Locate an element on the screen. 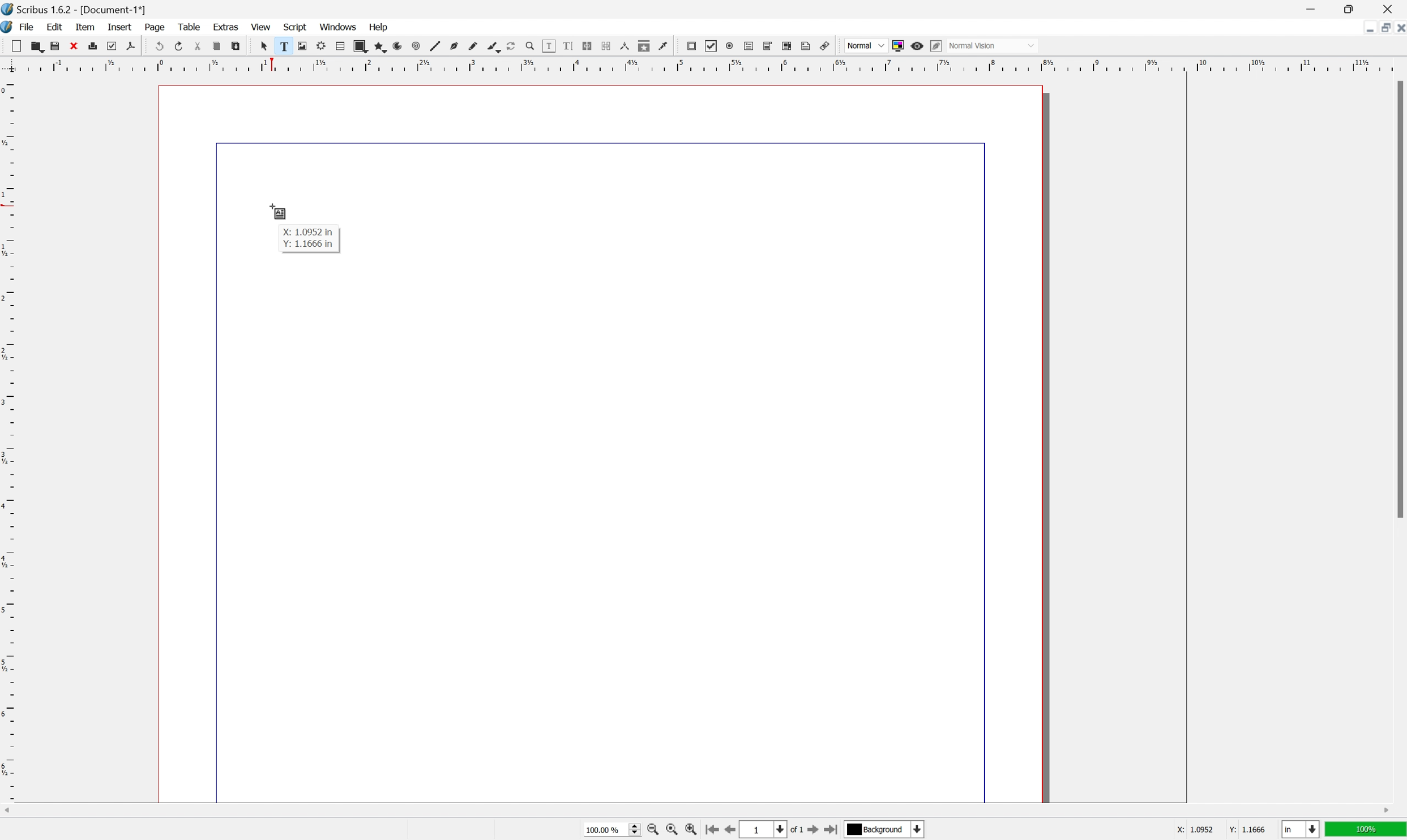 The image size is (1407, 840). save as pdf is located at coordinates (130, 45).